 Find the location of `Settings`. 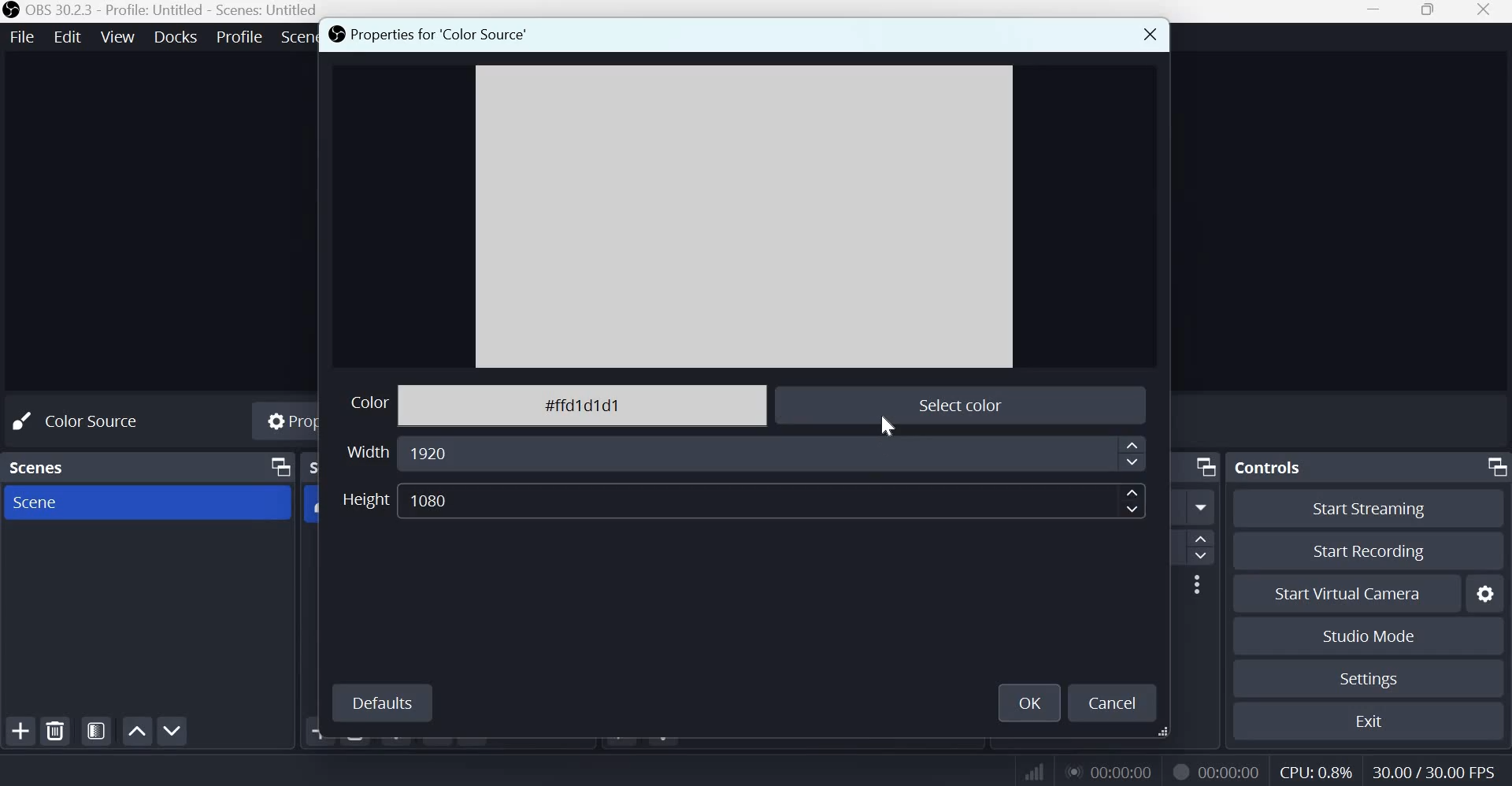

Settings is located at coordinates (1367, 679).